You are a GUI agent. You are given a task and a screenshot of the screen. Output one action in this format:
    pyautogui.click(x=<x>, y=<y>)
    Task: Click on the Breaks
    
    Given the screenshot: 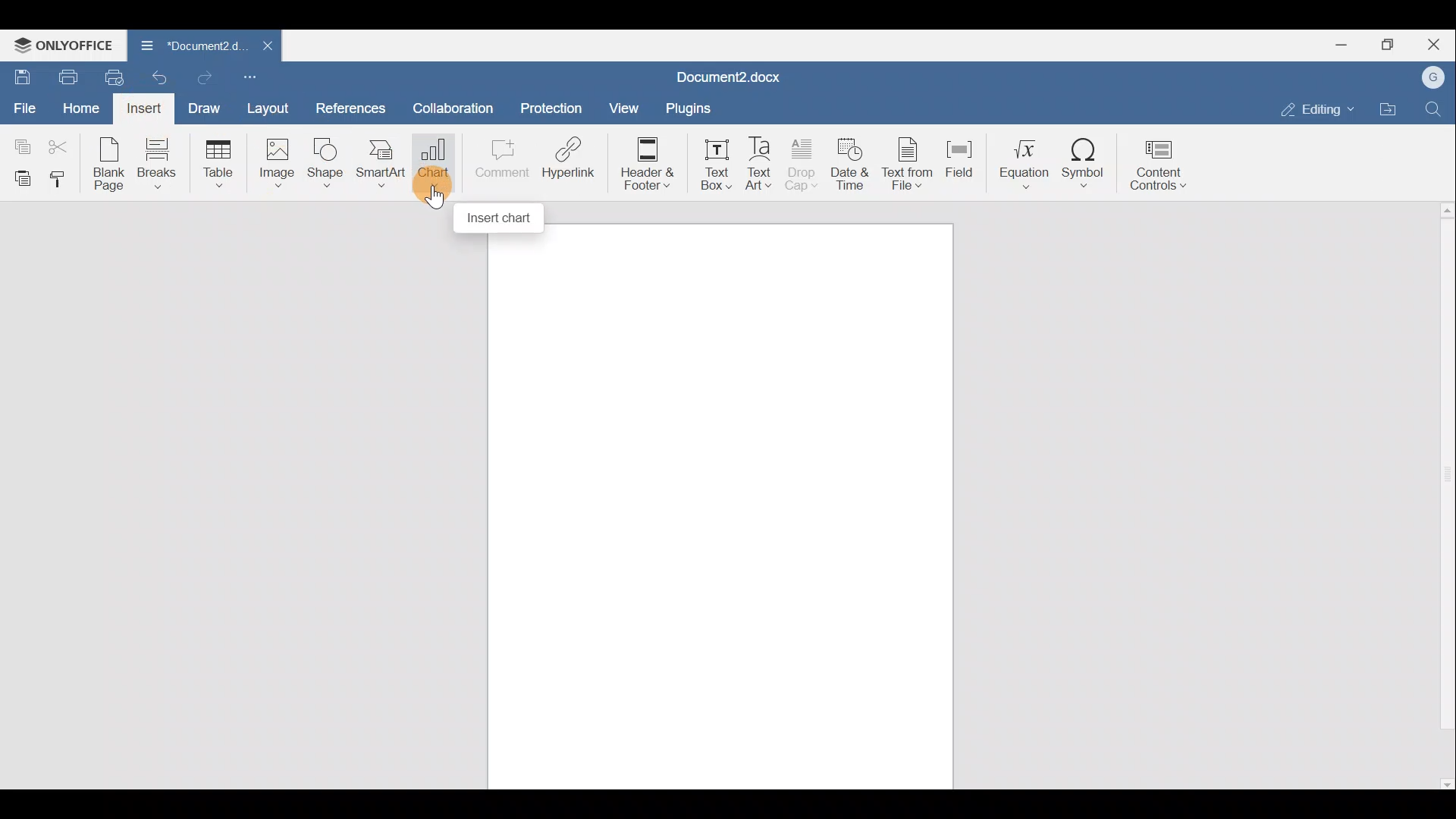 What is the action you would take?
    pyautogui.click(x=160, y=165)
    